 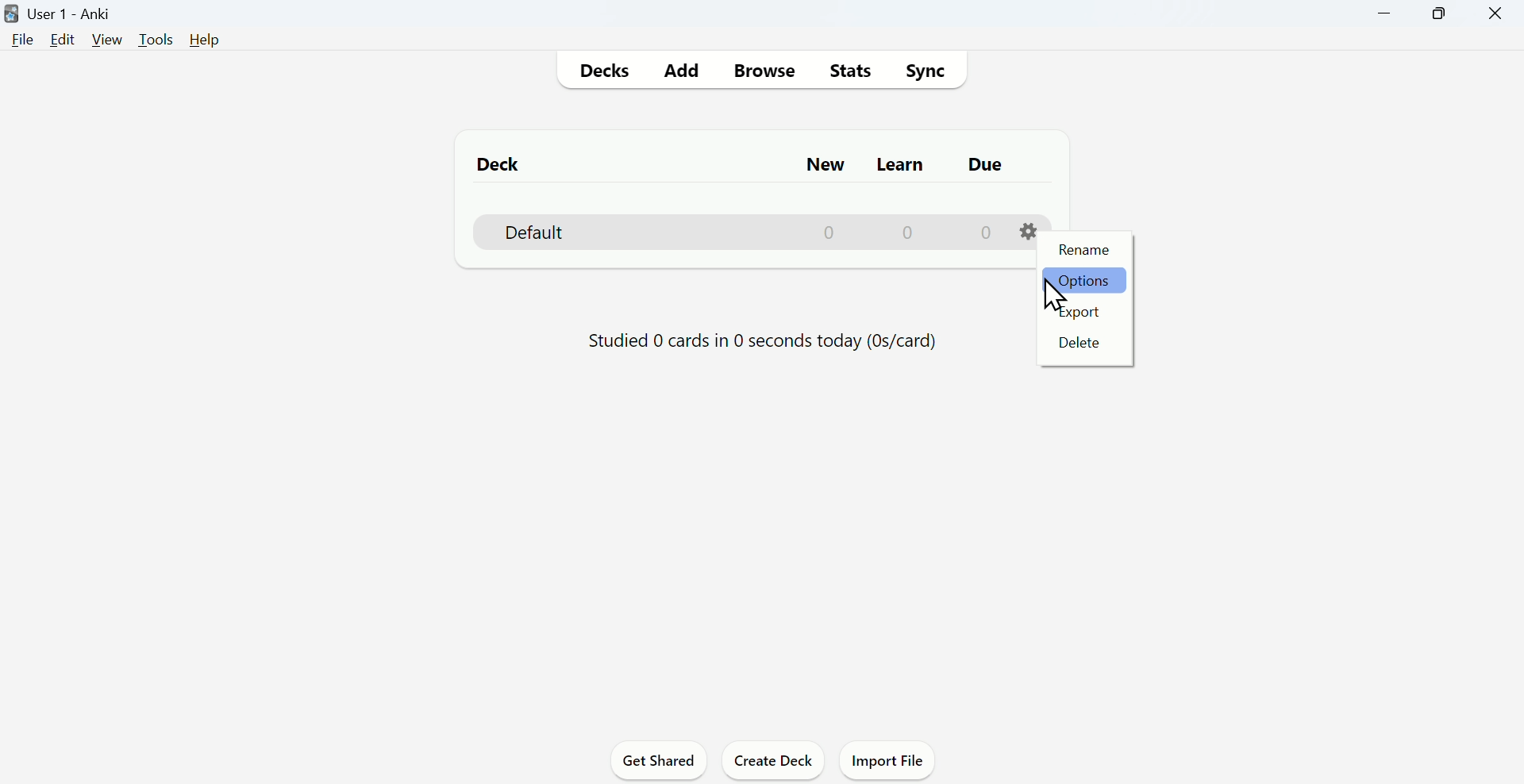 I want to click on Sync, so click(x=922, y=71).